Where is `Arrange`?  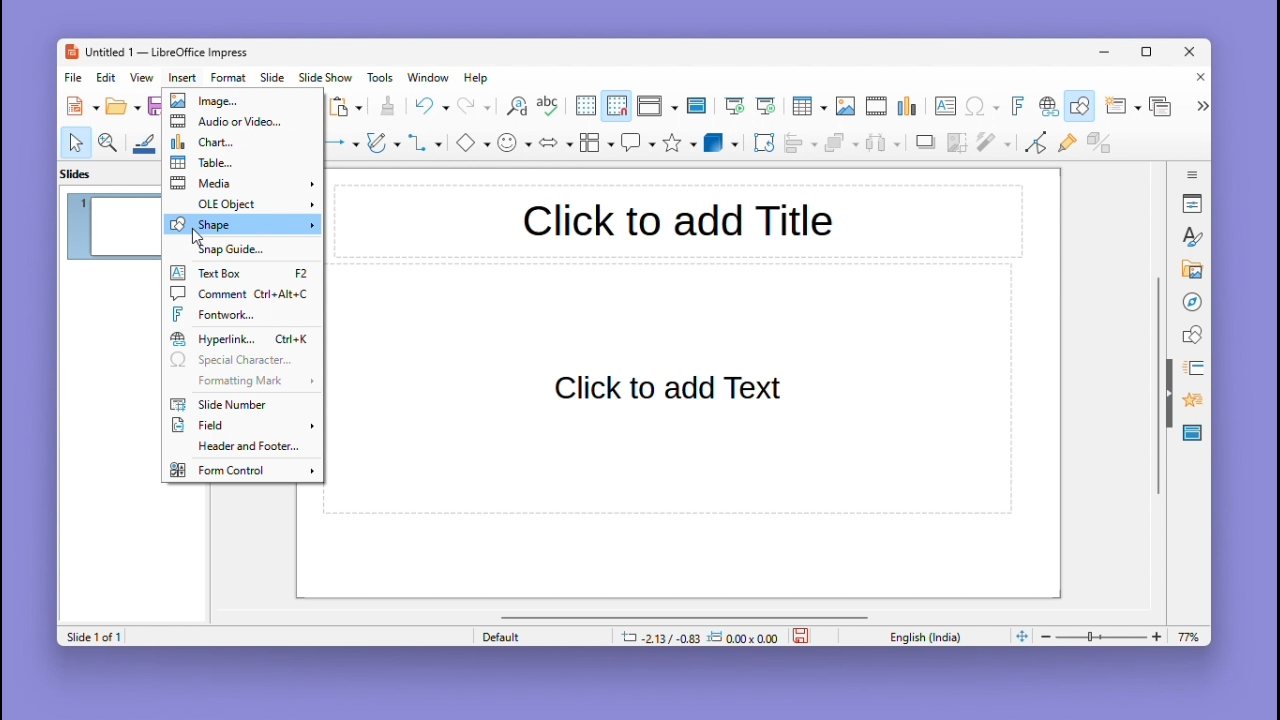 Arrange is located at coordinates (839, 145).